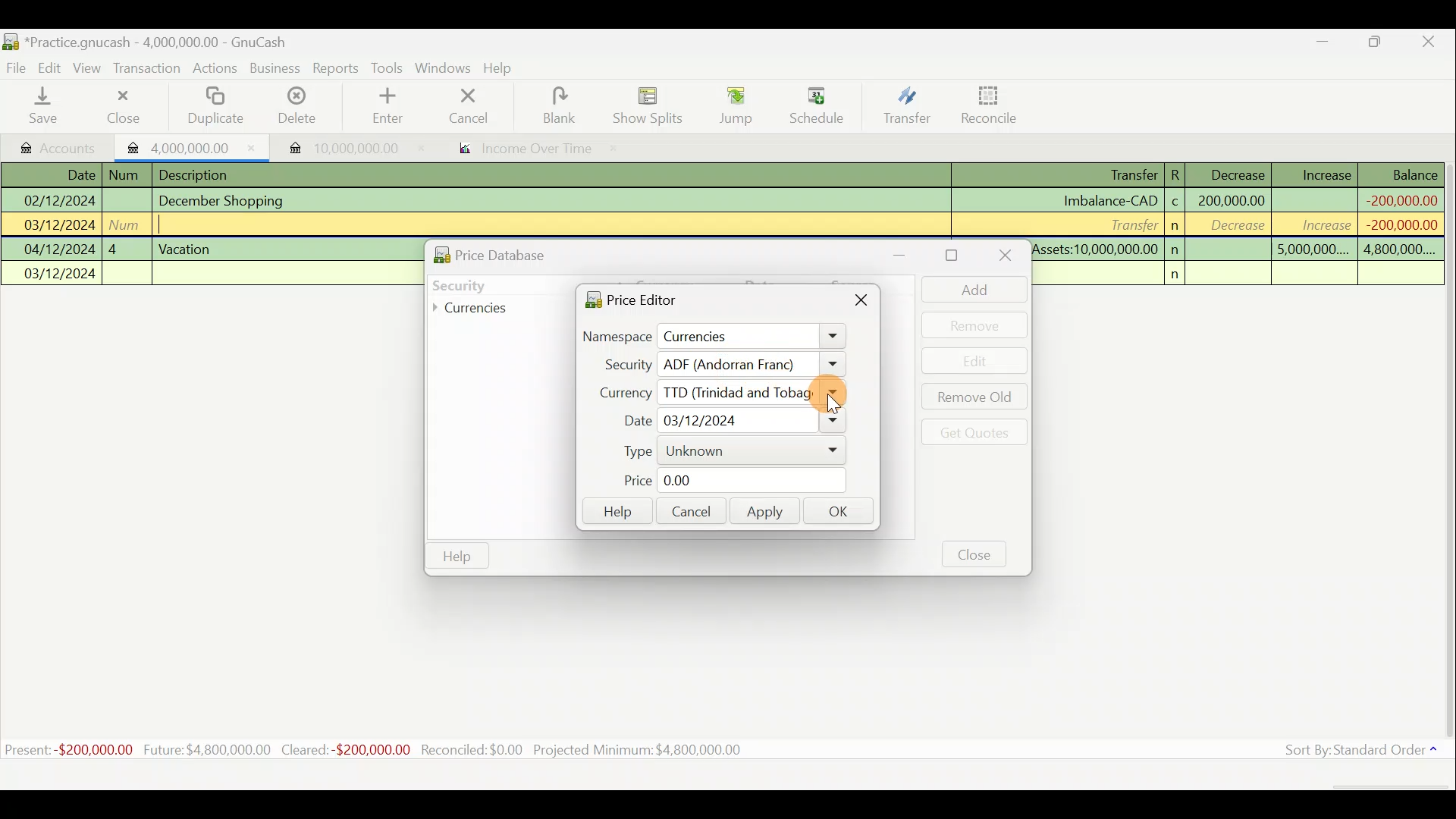 The height and width of the screenshot is (819, 1456). What do you see at coordinates (457, 557) in the screenshot?
I see `Help` at bounding box center [457, 557].